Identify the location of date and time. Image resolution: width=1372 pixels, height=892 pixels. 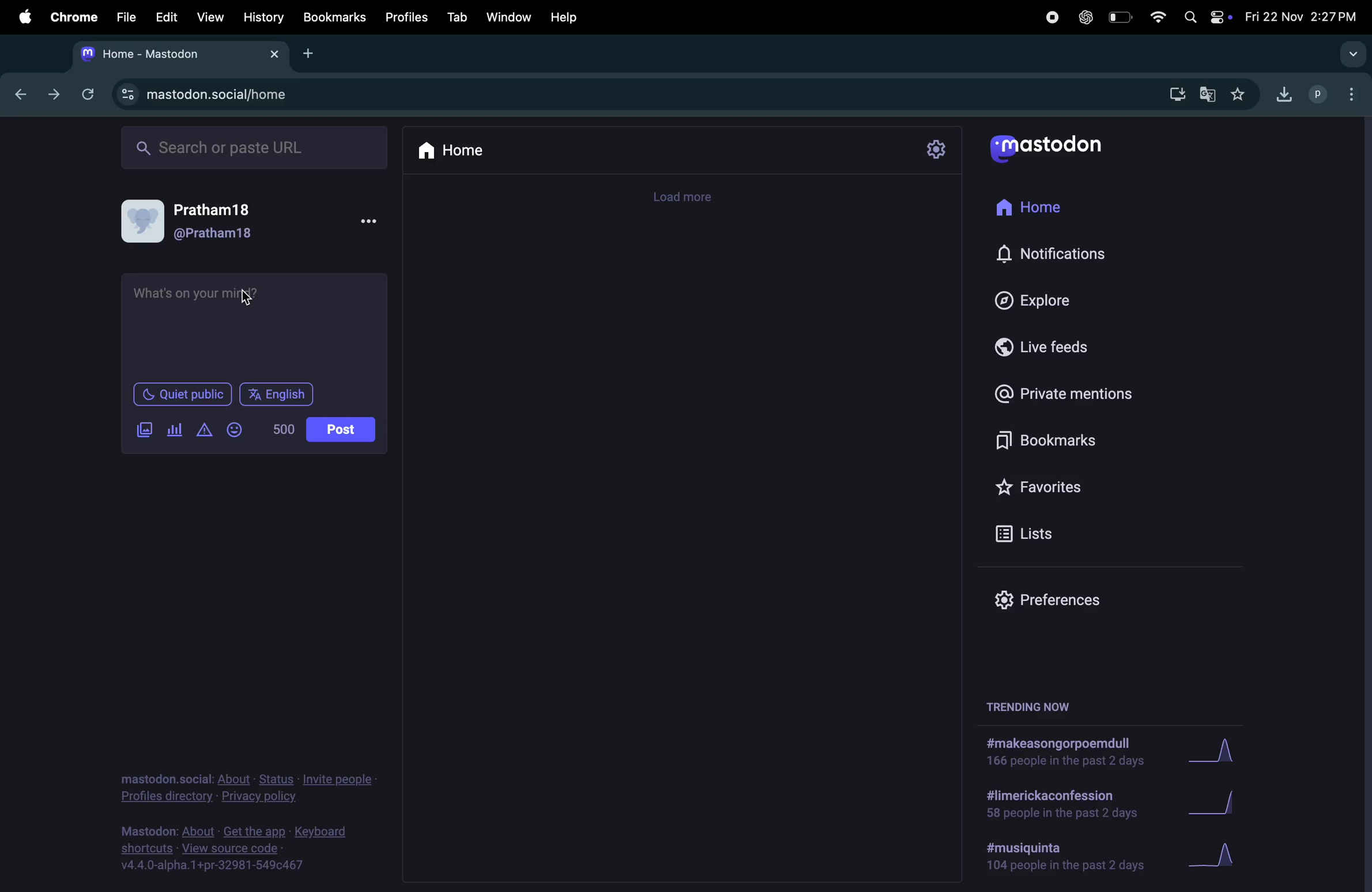
(1301, 16).